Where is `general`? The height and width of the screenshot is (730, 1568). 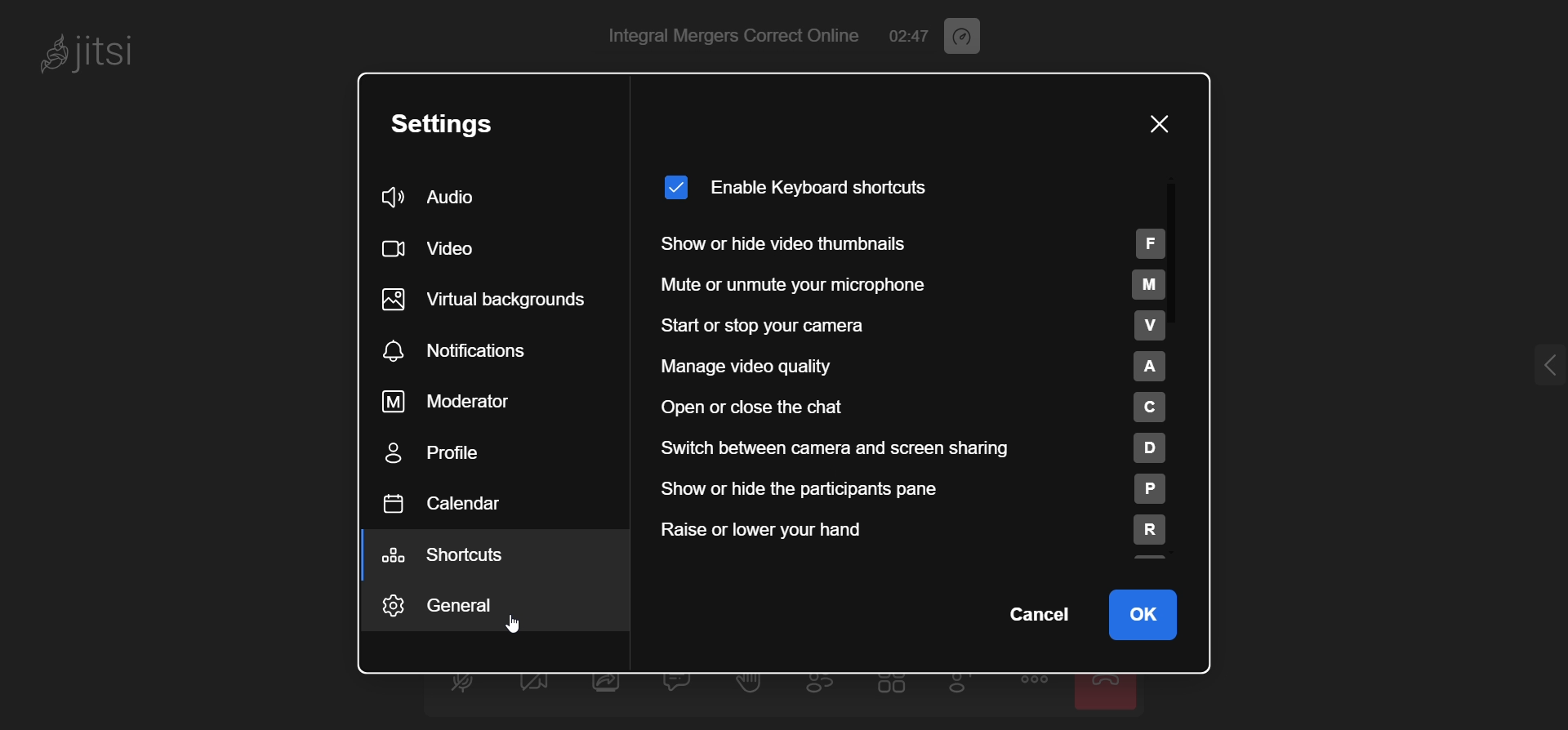
general is located at coordinates (446, 603).